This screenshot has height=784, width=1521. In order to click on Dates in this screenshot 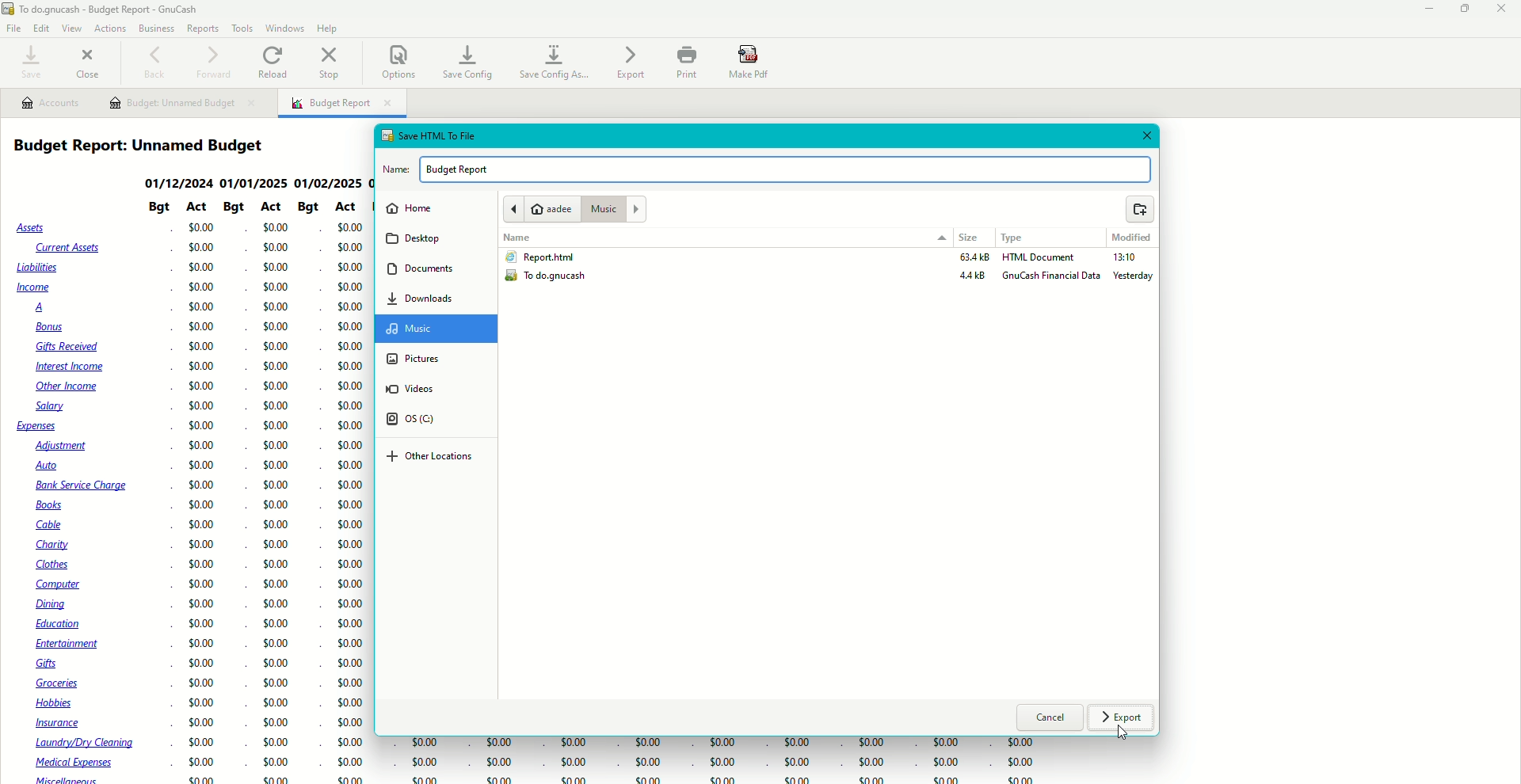, I will do `click(255, 182)`.